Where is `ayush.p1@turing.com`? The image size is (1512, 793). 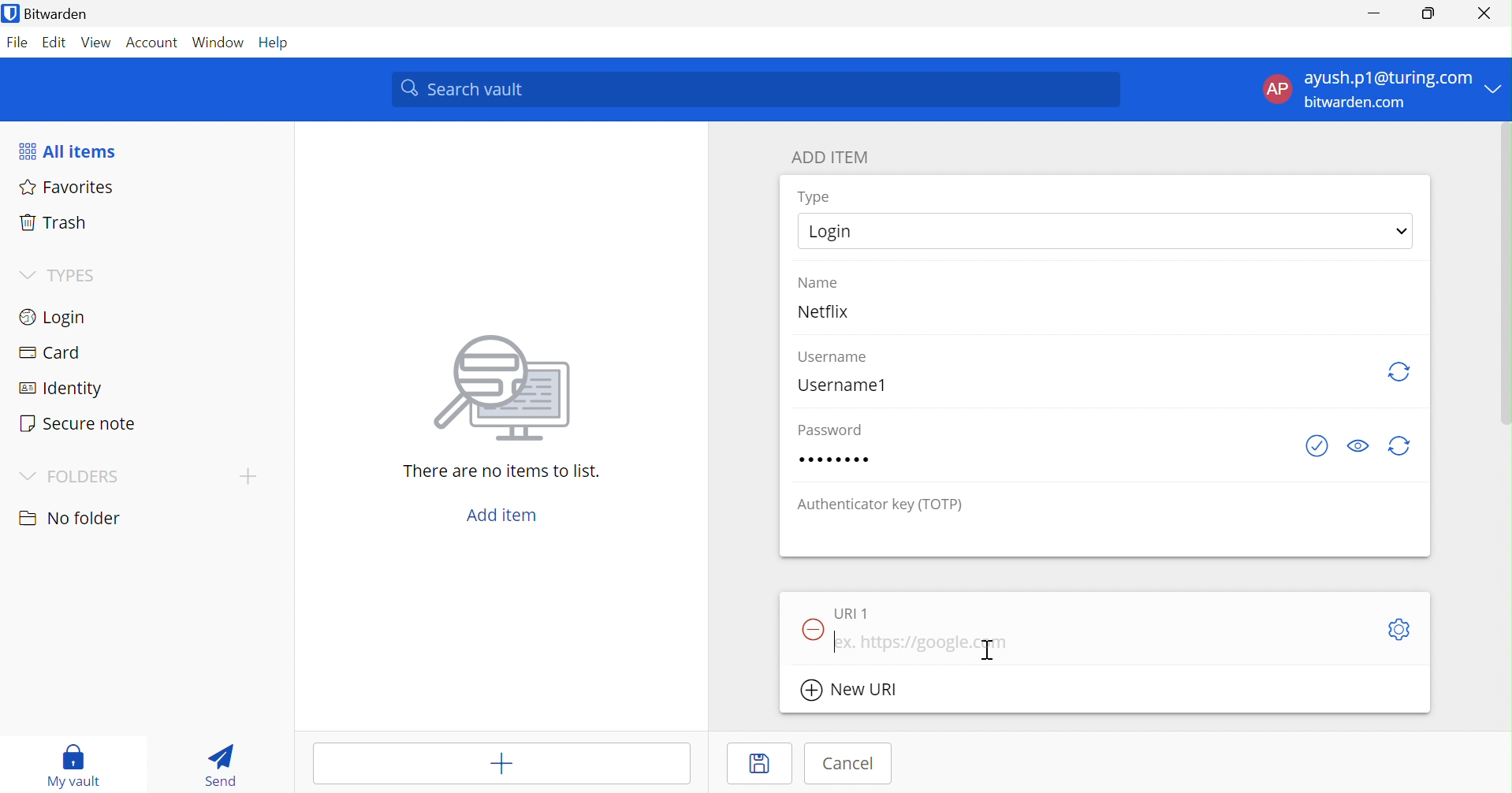
ayush.p1@turing.com is located at coordinates (1387, 76).